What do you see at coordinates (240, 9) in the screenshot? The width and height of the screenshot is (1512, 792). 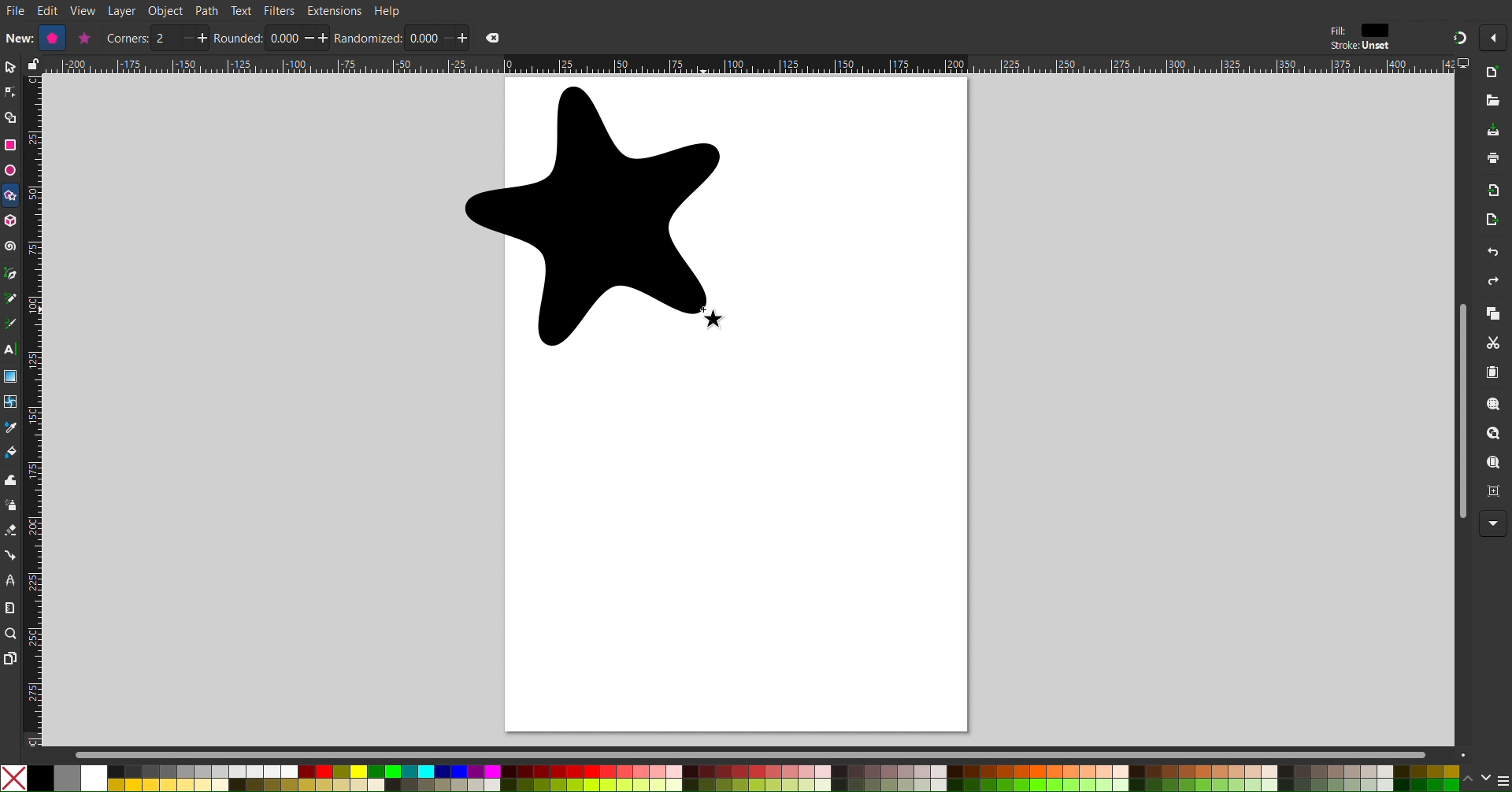 I see `Text` at bounding box center [240, 9].